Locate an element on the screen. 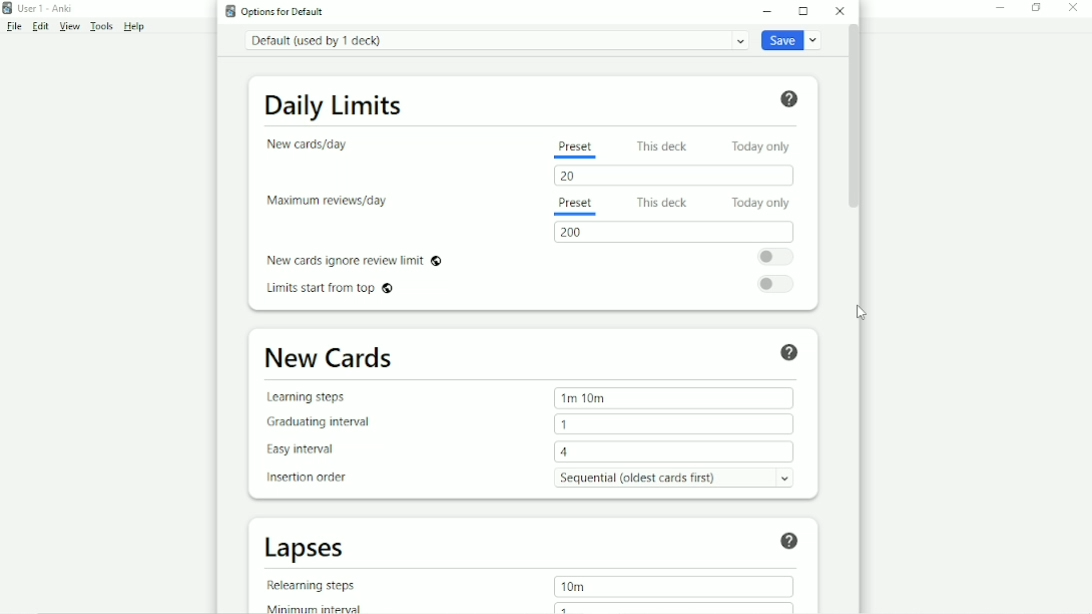  Relearning steps is located at coordinates (313, 582).